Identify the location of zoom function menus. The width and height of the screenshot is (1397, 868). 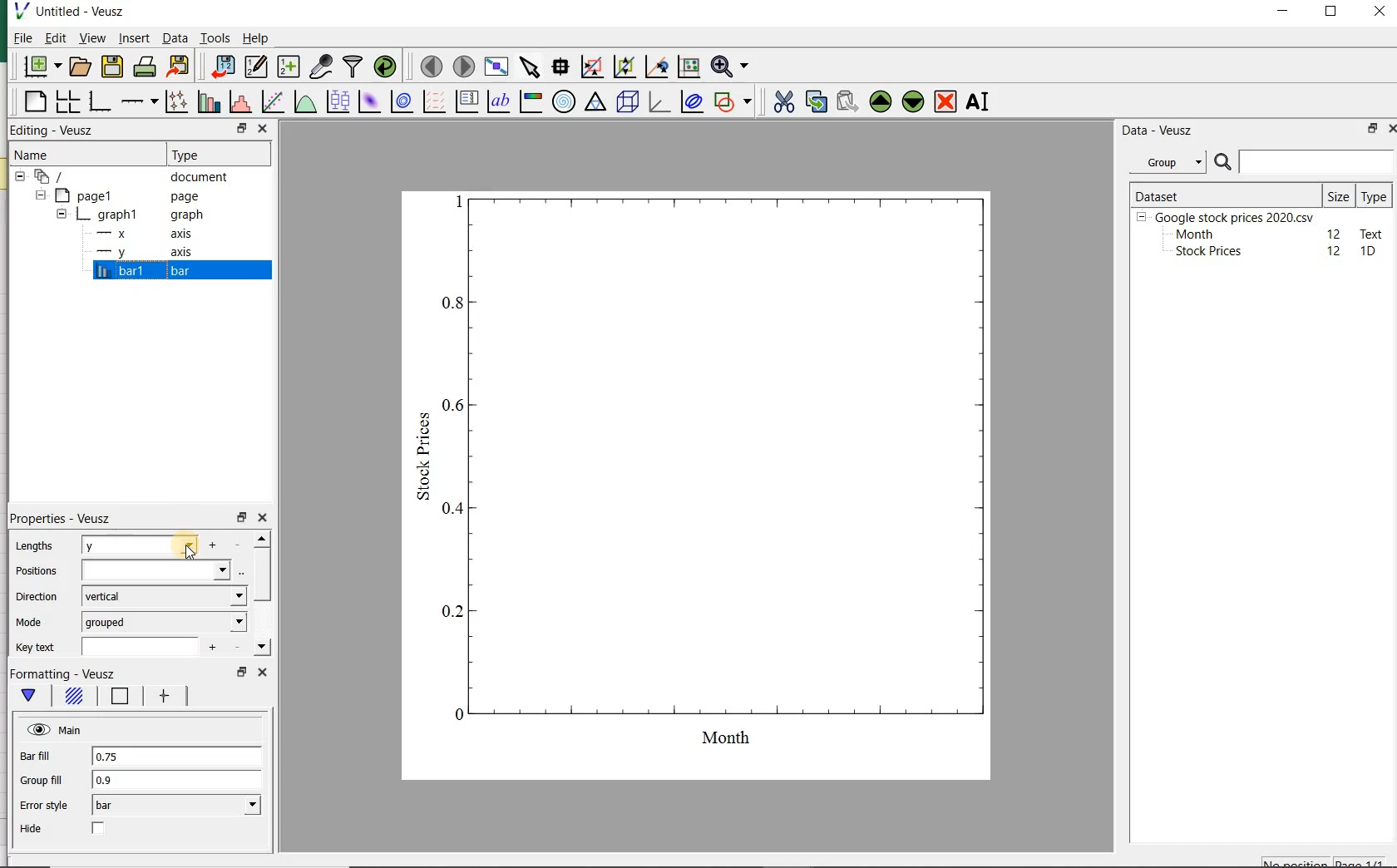
(733, 67).